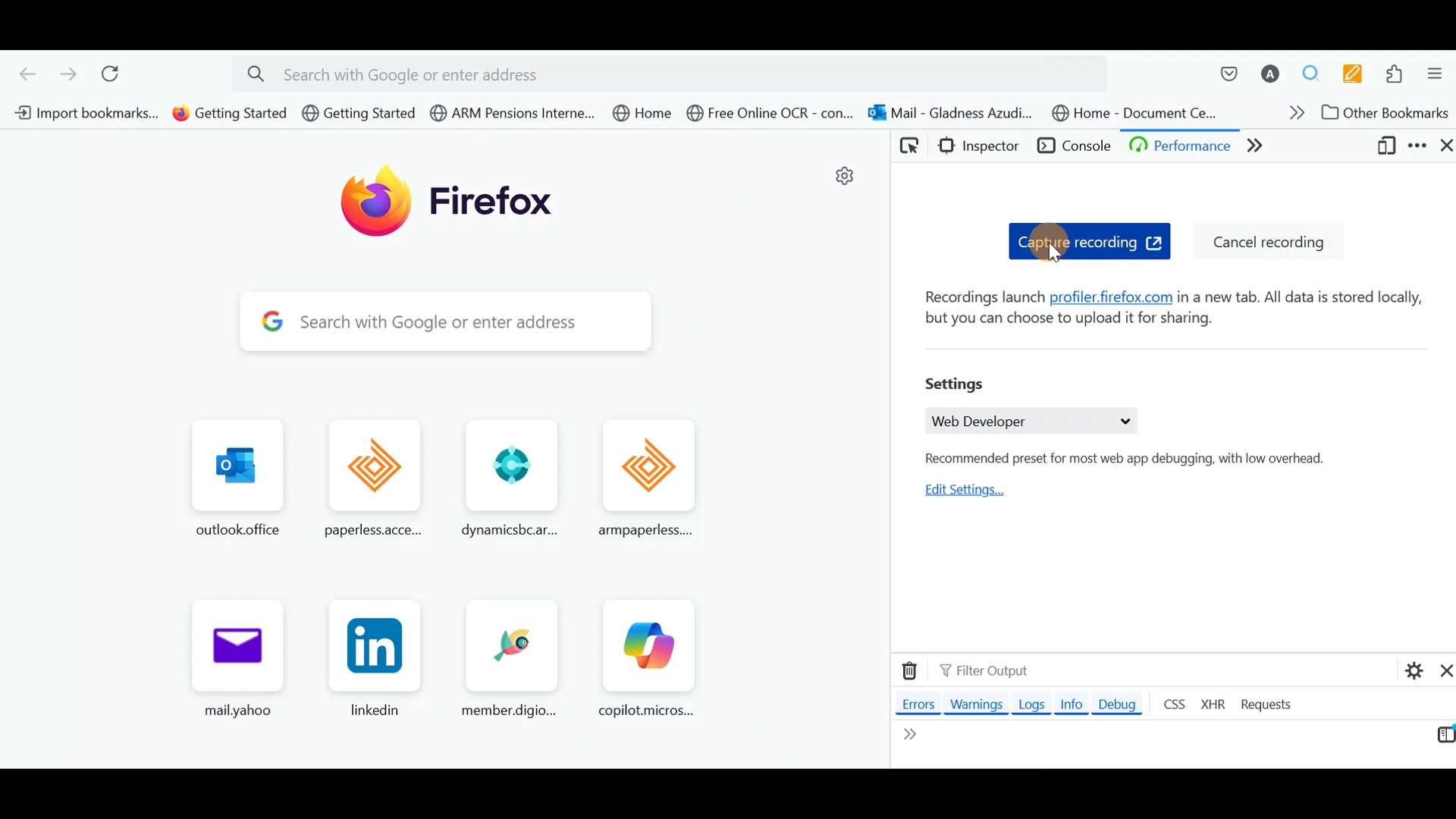 Image resolution: width=1456 pixels, height=819 pixels. Describe the element at coordinates (1221, 74) in the screenshot. I see `Save to pocket` at that location.